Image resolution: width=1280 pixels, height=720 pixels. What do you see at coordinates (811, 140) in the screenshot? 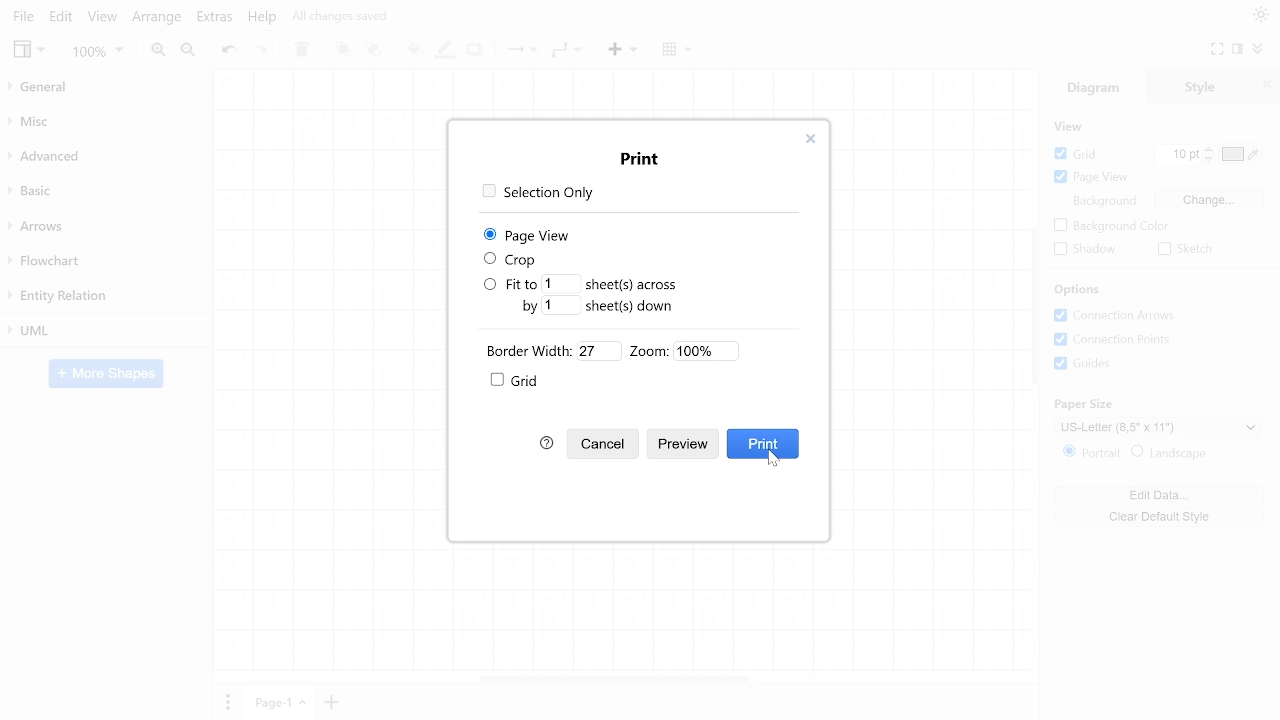
I see `Close` at bounding box center [811, 140].